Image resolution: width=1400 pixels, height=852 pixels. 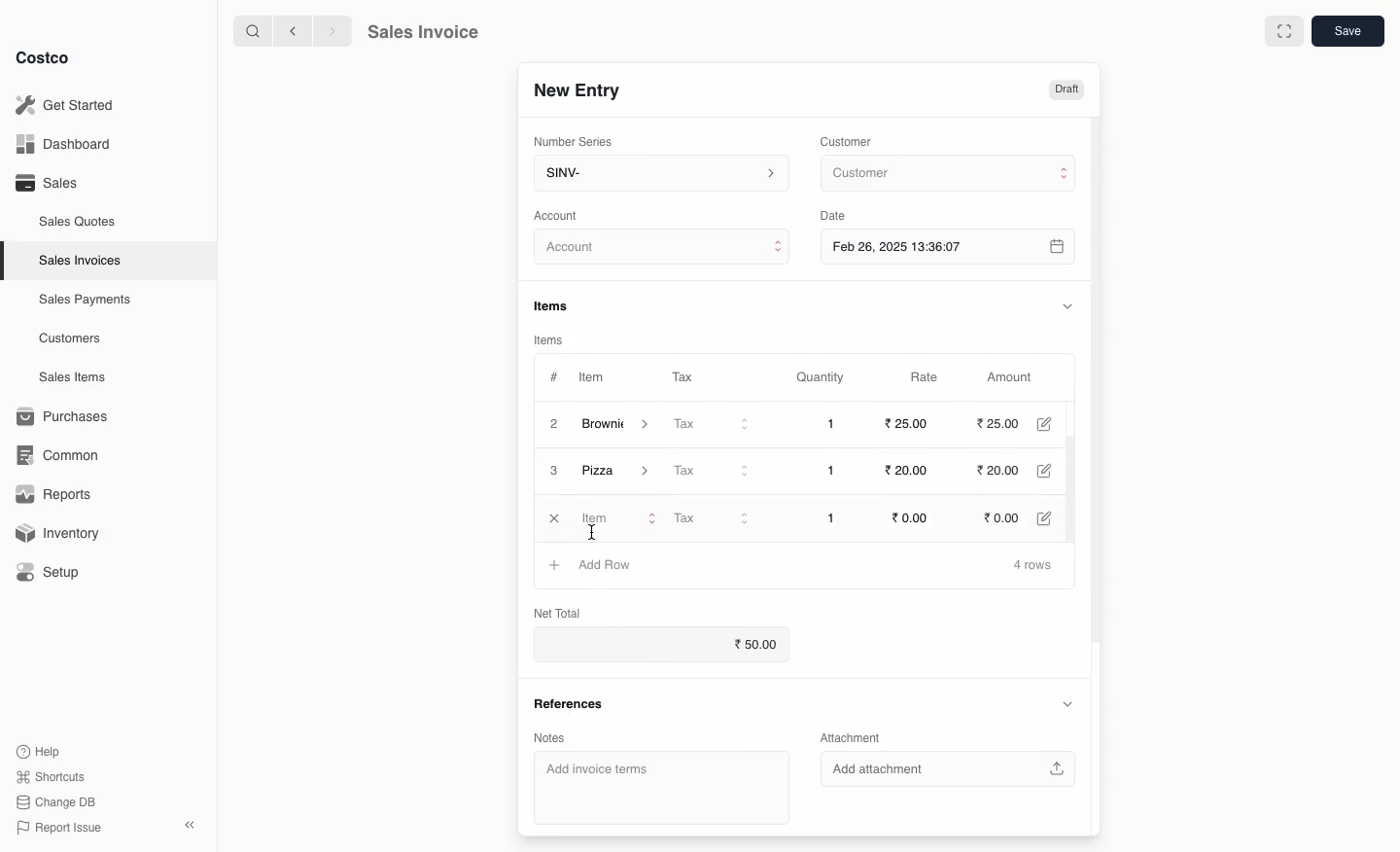 What do you see at coordinates (558, 305) in the screenshot?
I see `Items` at bounding box center [558, 305].